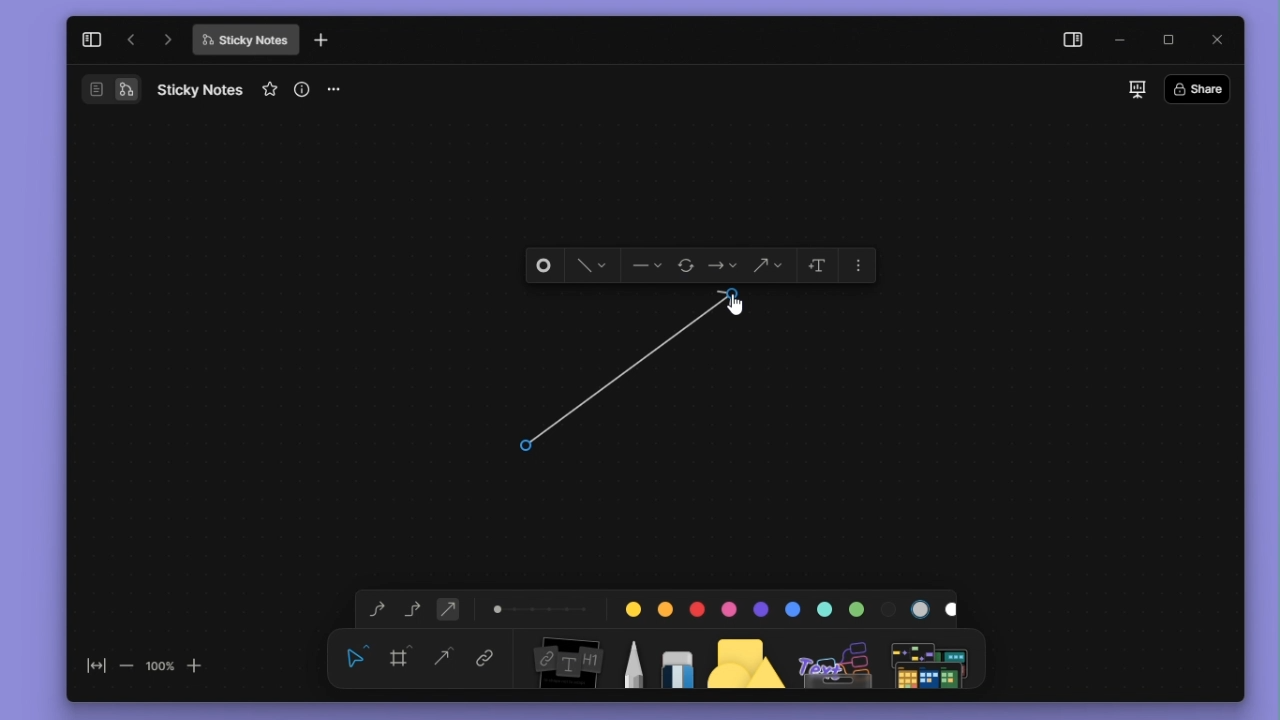 The height and width of the screenshot is (720, 1280). Describe the element at coordinates (646, 266) in the screenshot. I see `startpoint style` at that location.